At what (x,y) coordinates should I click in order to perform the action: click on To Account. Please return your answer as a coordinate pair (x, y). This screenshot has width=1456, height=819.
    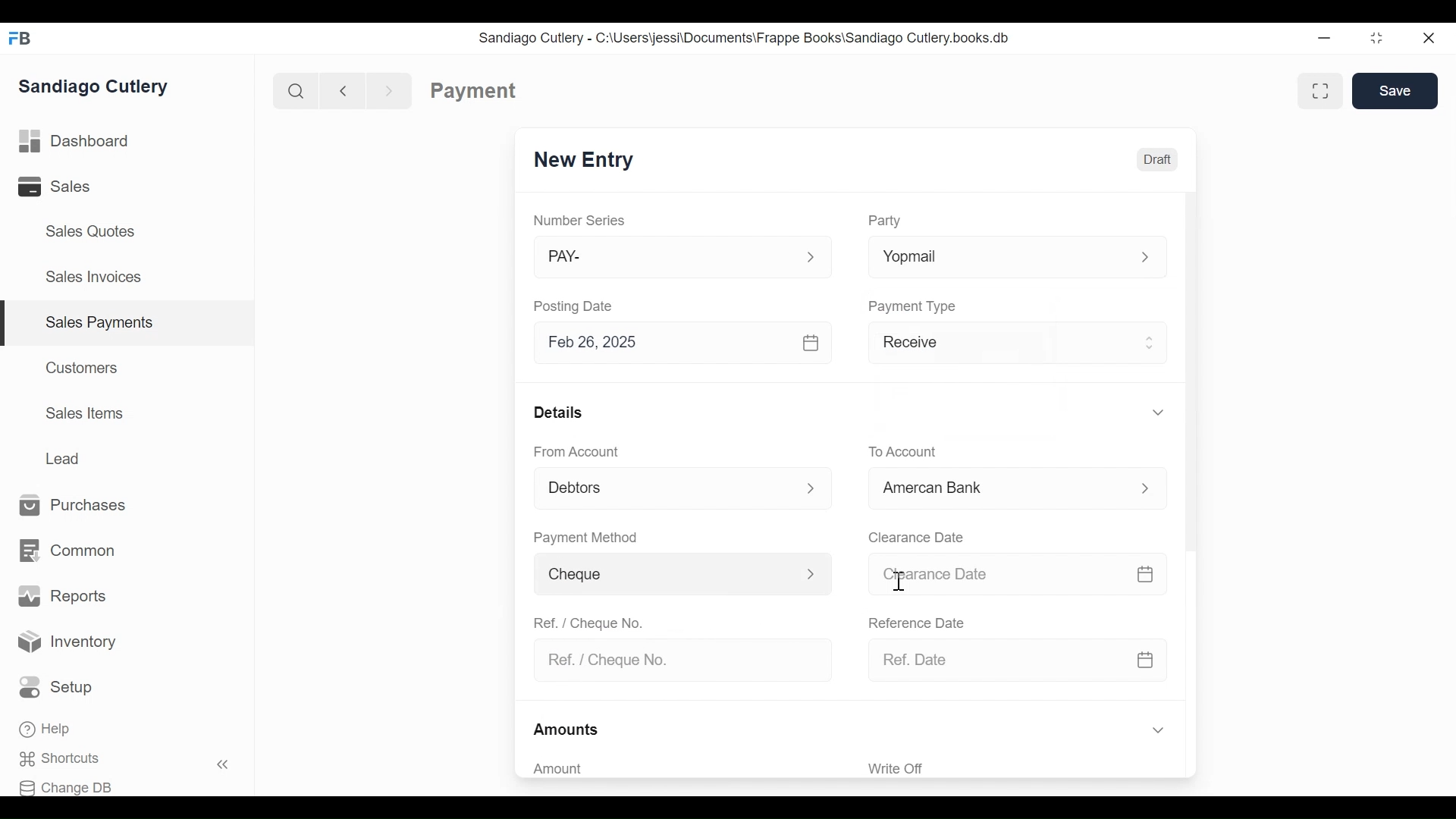
    Looking at the image, I should click on (902, 452).